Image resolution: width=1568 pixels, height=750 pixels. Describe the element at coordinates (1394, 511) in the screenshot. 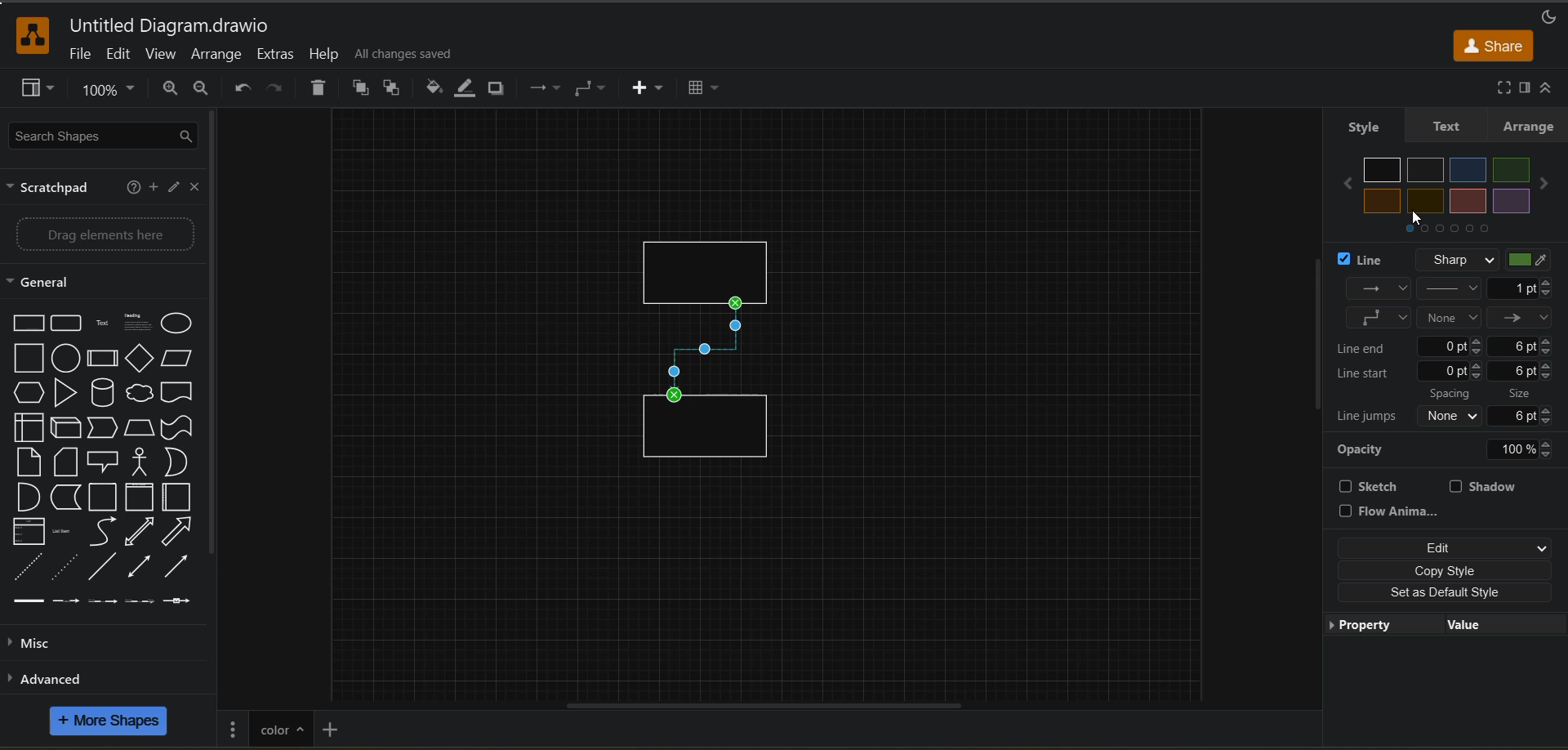

I see `flow animation` at that location.